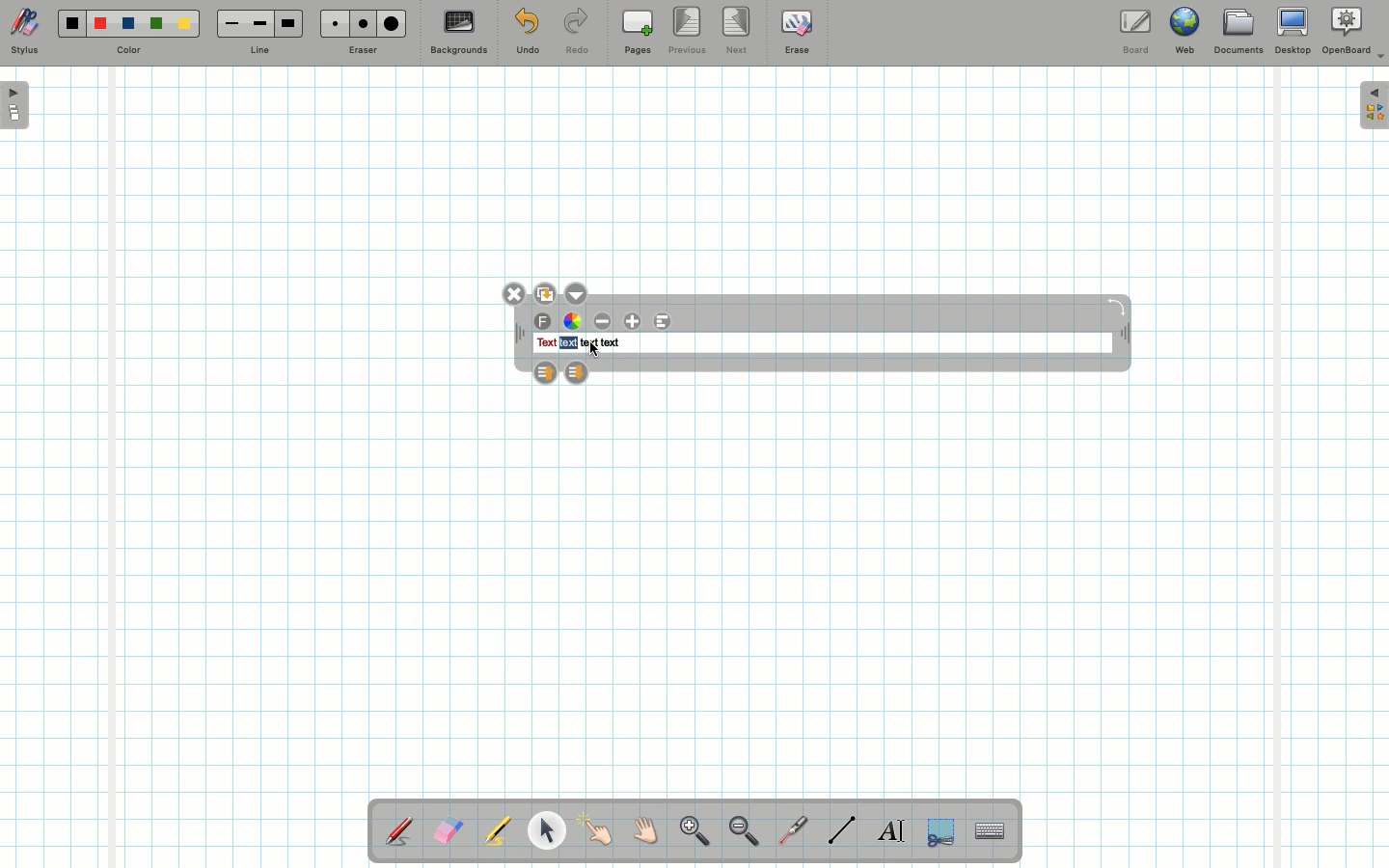 This screenshot has height=868, width=1389. I want to click on Undo, so click(527, 35).